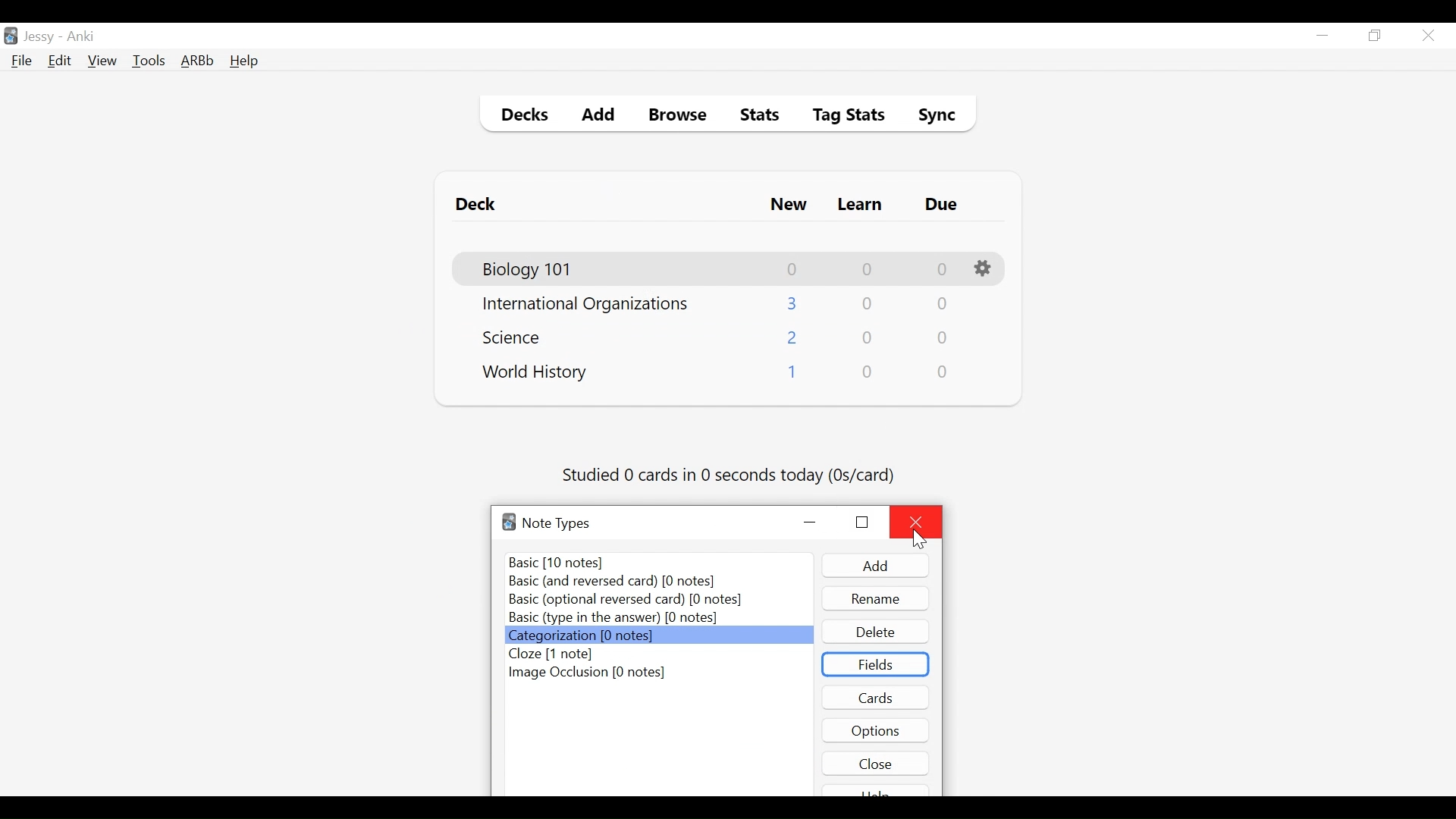 The height and width of the screenshot is (819, 1456). I want to click on Learn Card Count, so click(866, 304).